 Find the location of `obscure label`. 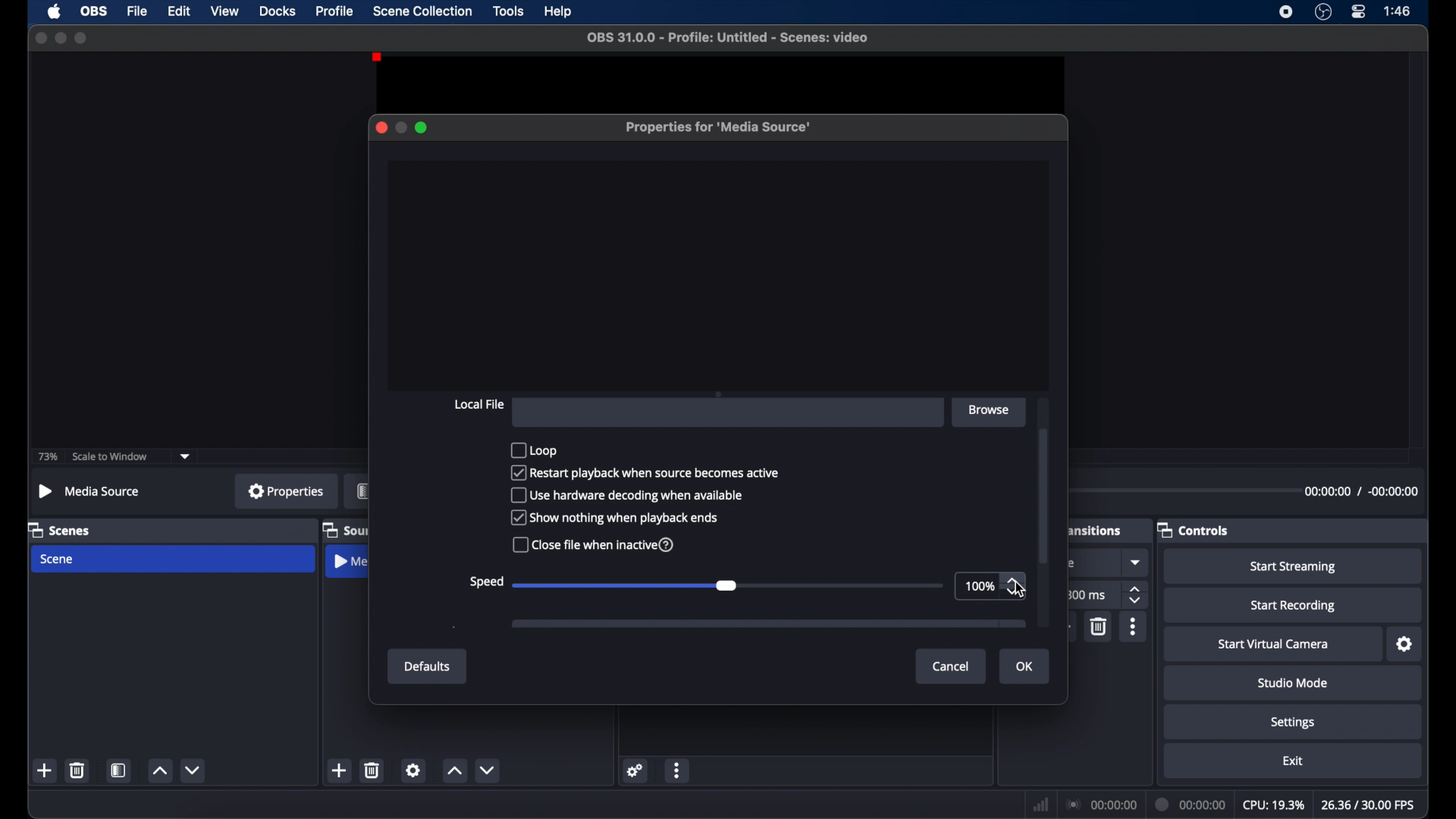

obscure label is located at coordinates (345, 531).